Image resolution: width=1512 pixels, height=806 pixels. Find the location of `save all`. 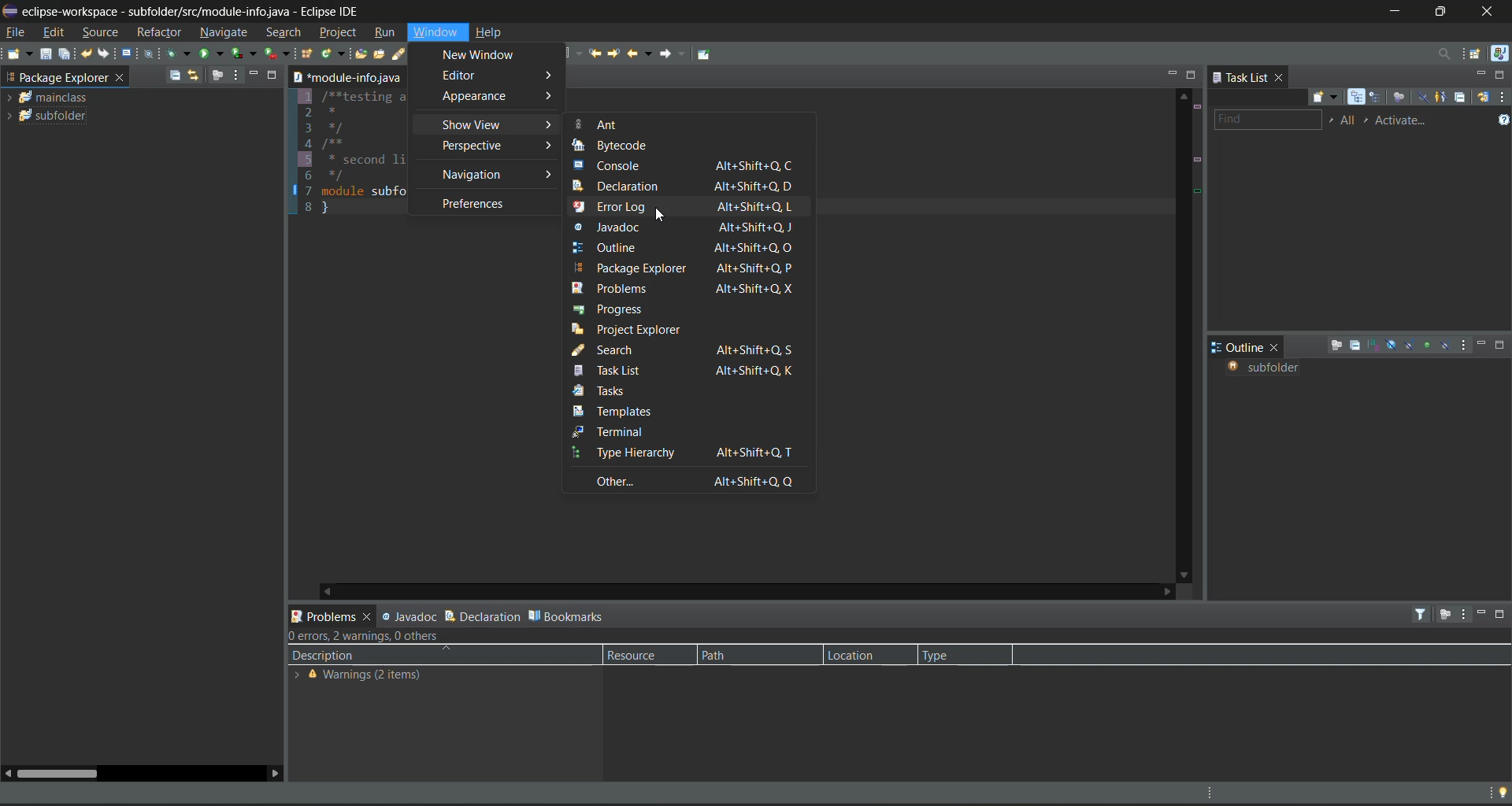

save all is located at coordinates (64, 53).